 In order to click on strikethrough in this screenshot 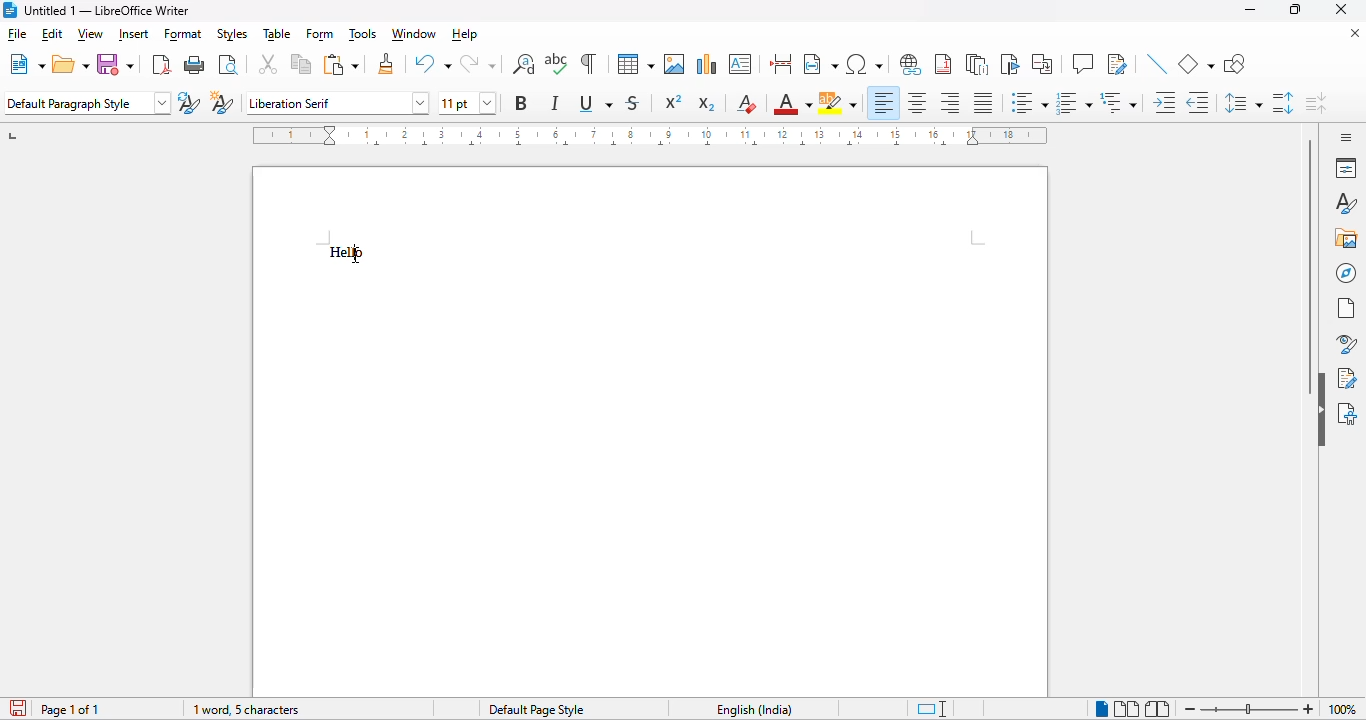, I will do `click(633, 103)`.